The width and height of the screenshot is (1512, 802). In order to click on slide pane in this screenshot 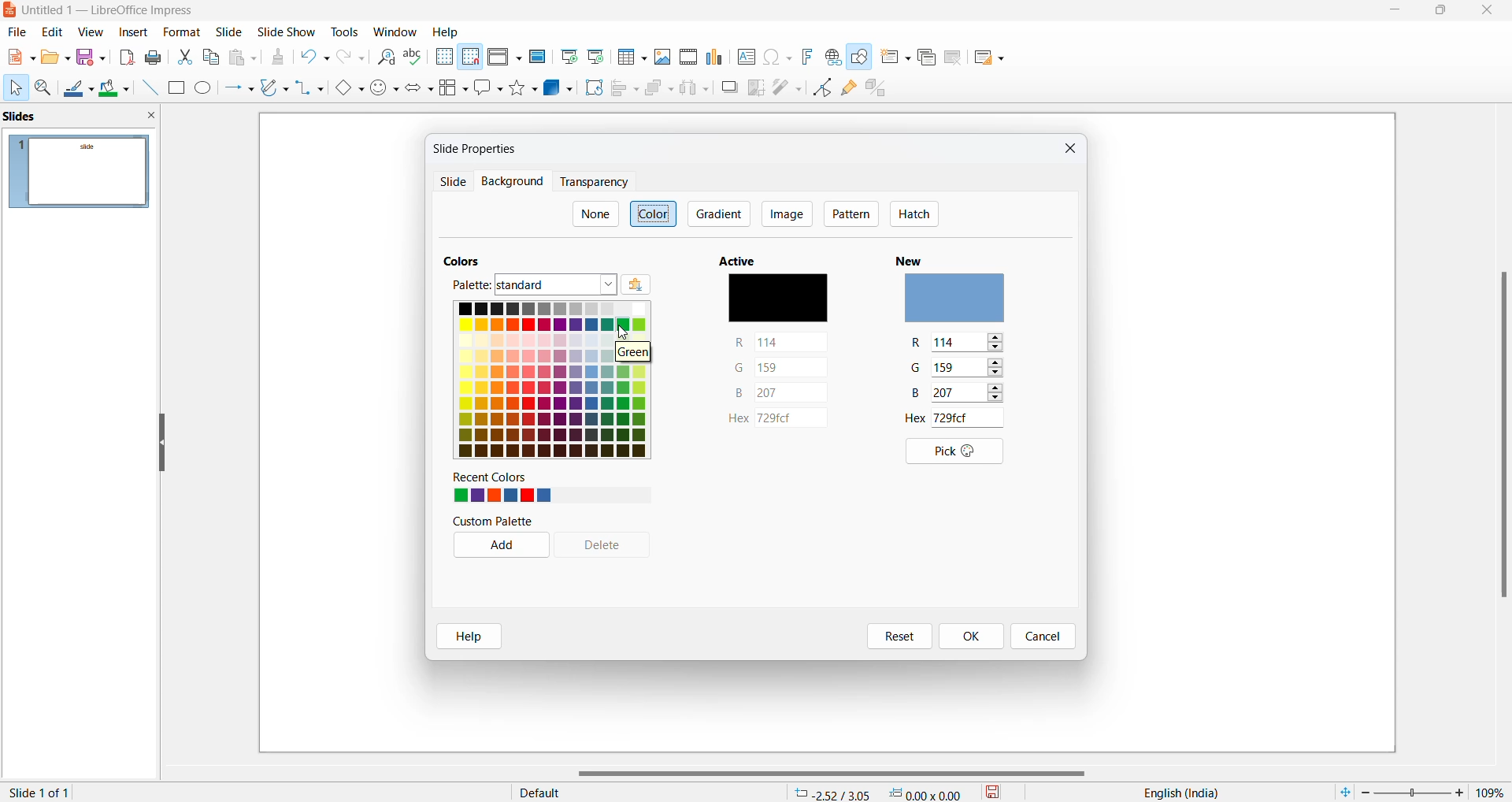, I will do `click(79, 118)`.